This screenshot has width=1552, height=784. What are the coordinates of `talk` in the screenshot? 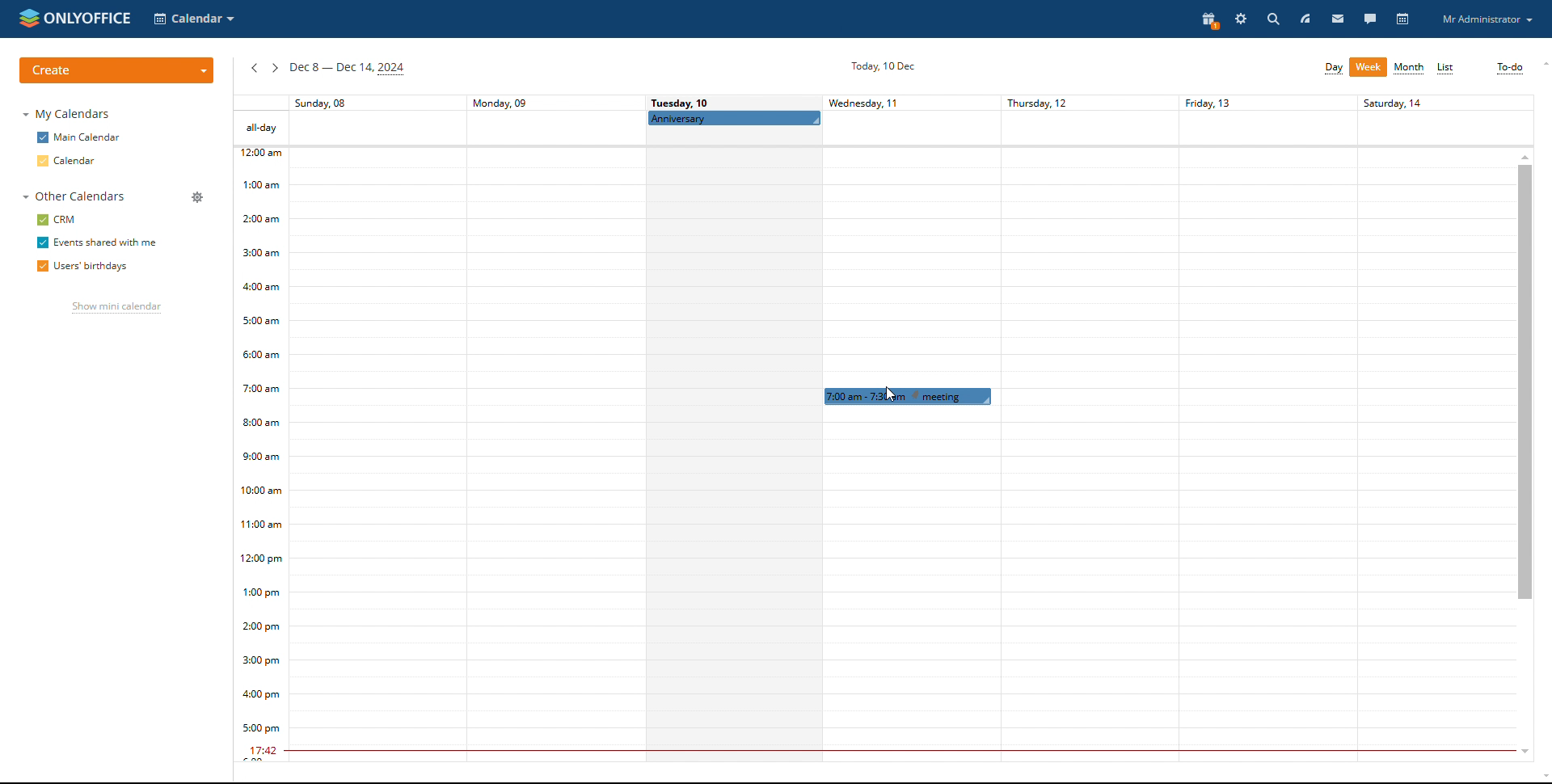 It's located at (1369, 18).